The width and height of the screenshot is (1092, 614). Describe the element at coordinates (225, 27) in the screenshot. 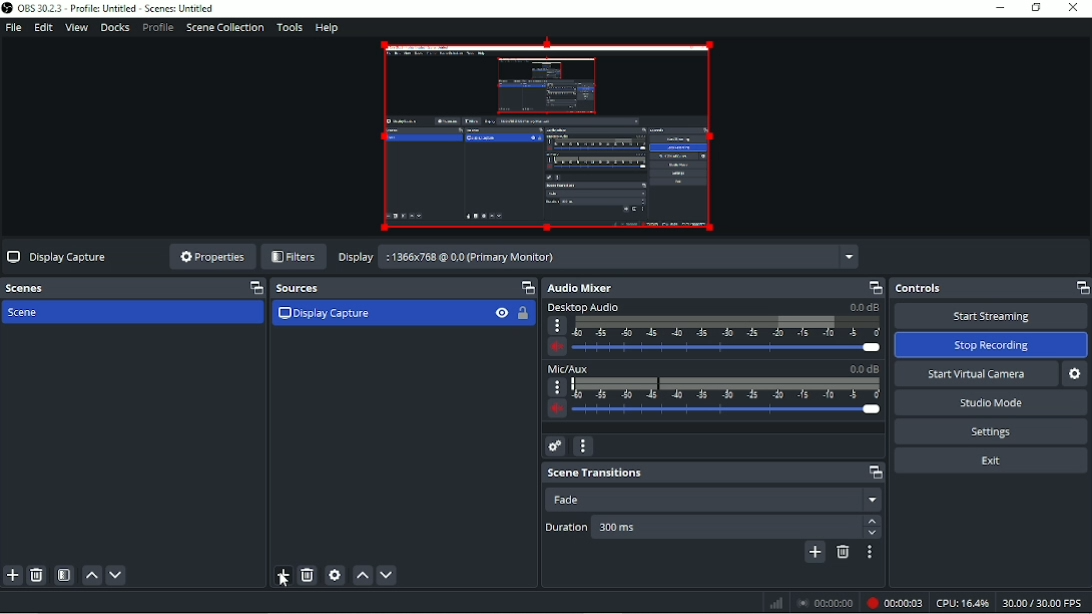

I see `Scene collection` at that location.